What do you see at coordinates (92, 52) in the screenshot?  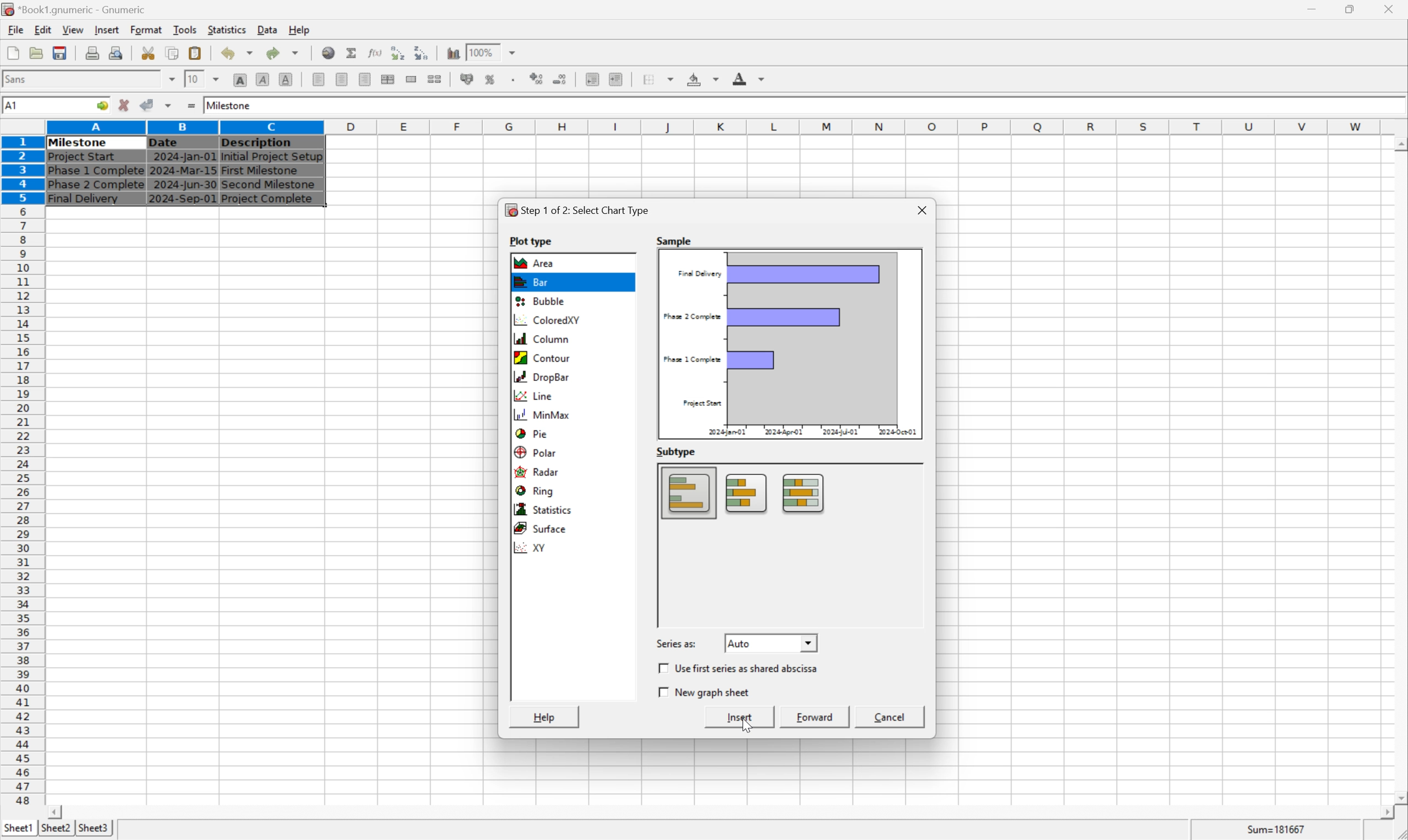 I see `print preview` at bounding box center [92, 52].